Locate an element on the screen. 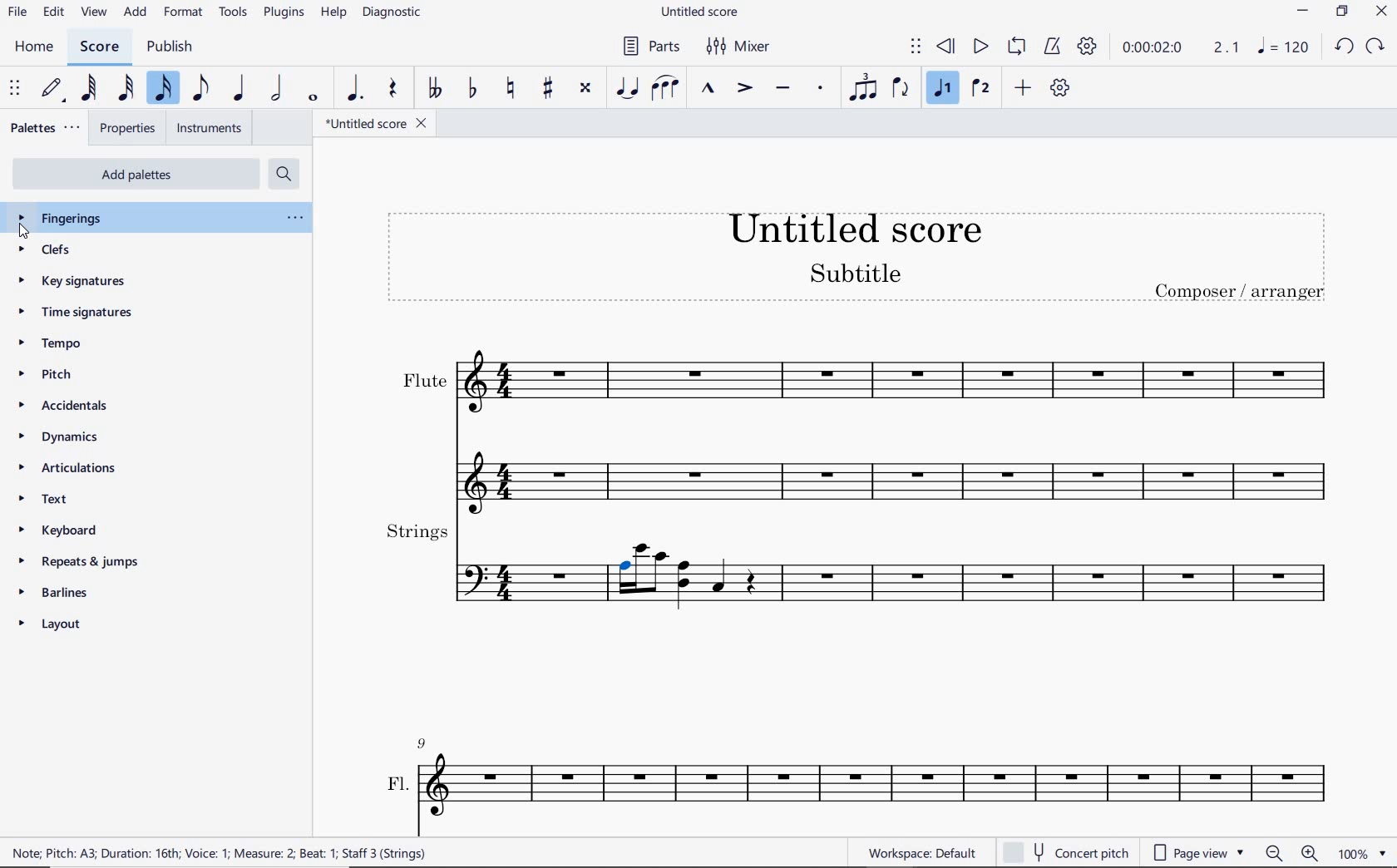 This screenshot has height=868, width=1397. REDO is located at coordinates (1375, 47).